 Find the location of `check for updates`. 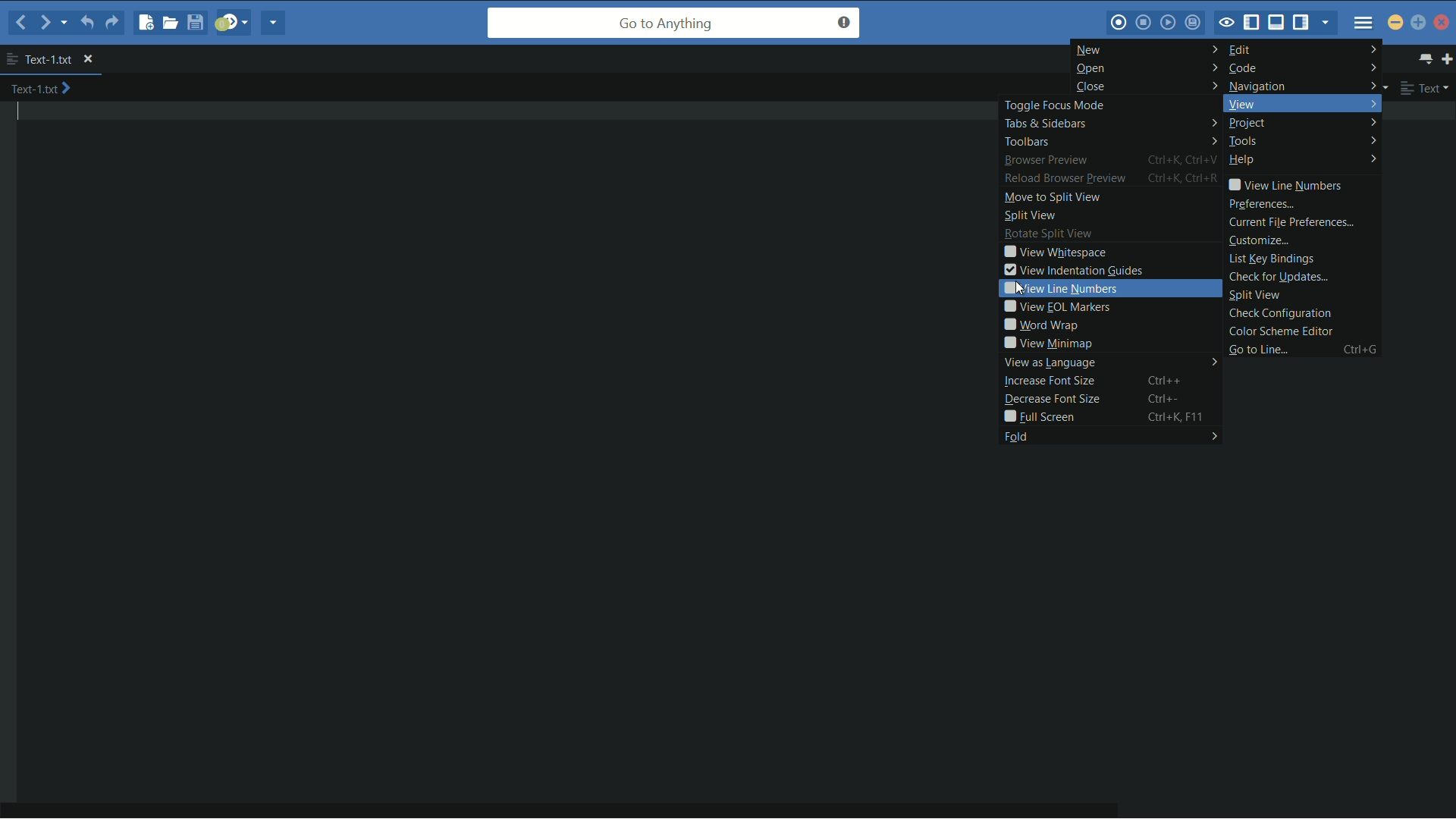

check for updates is located at coordinates (1279, 276).